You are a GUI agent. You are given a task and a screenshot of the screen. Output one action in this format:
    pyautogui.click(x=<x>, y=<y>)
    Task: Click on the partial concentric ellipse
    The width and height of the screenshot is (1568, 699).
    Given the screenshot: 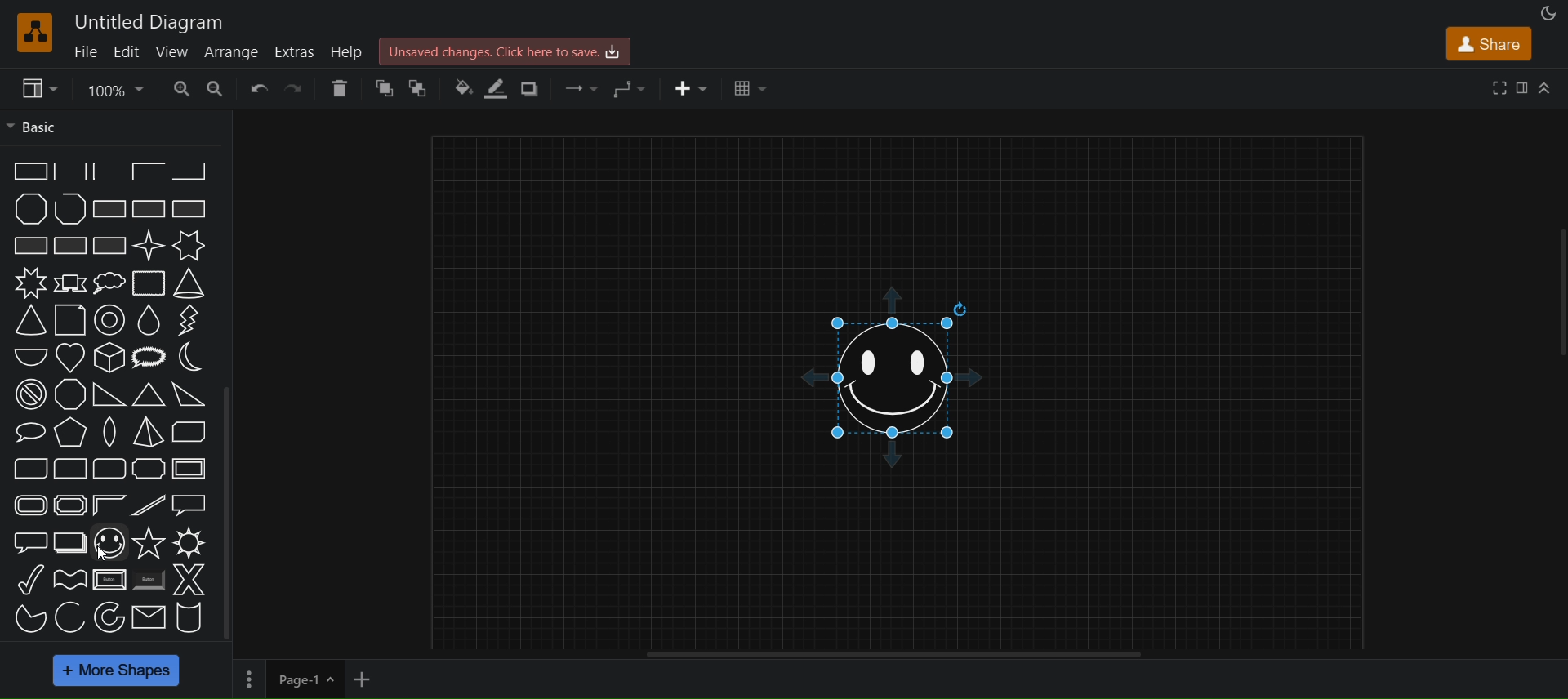 What is the action you would take?
    pyautogui.click(x=109, y=617)
    